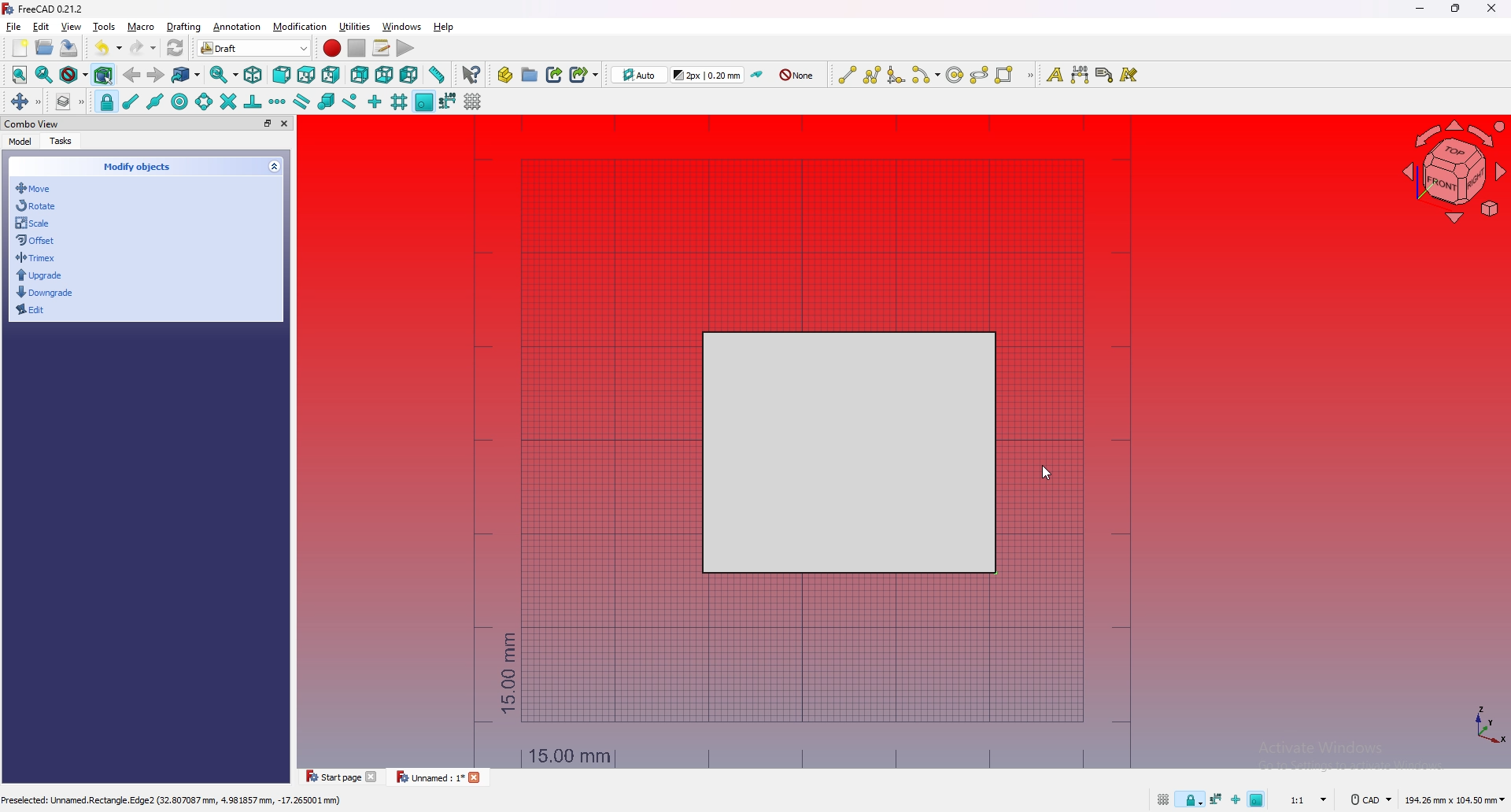 This screenshot has height=812, width=1511. What do you see at coordinates (1448, 172) in the screenshot?
I see `navigating cube` at bounding box center [1448, 172].